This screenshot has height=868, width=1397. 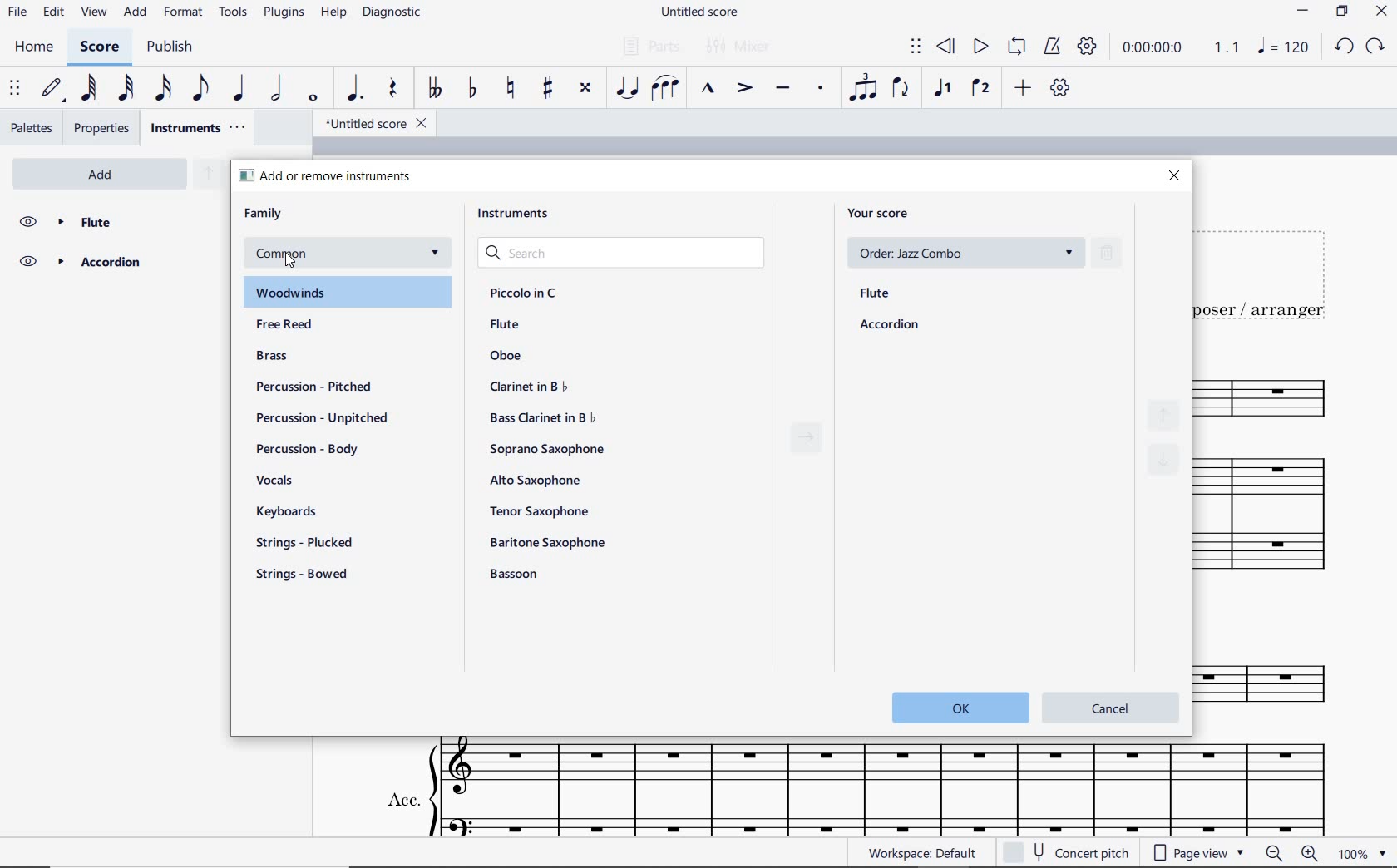 I want to click on ok, so click(x=958, y=706).